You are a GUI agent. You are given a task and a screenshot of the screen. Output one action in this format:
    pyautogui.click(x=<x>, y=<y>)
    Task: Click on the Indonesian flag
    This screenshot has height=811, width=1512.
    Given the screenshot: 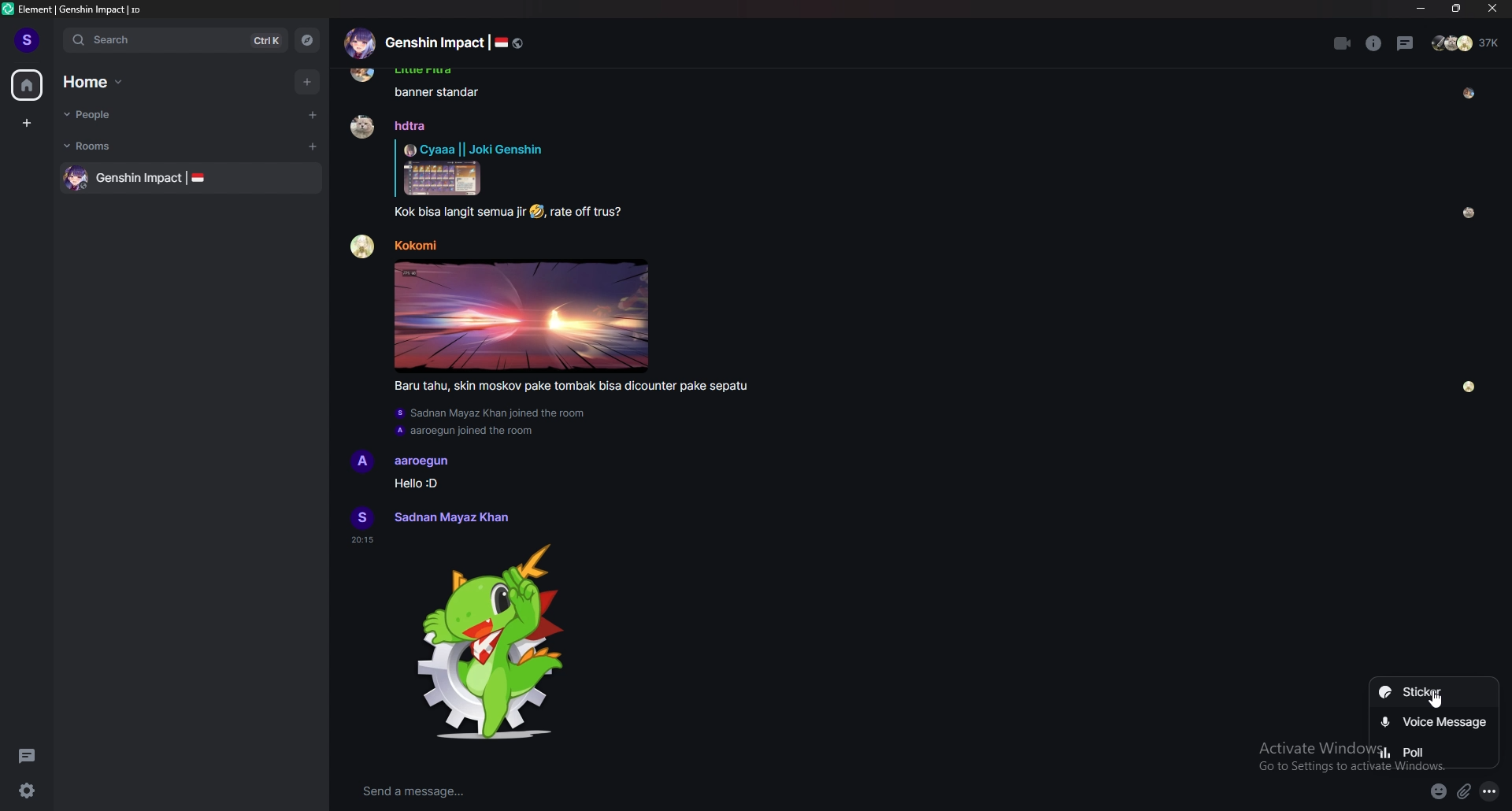 What is the action you would take?
    pyautogui.click(x=501, y=43)
    